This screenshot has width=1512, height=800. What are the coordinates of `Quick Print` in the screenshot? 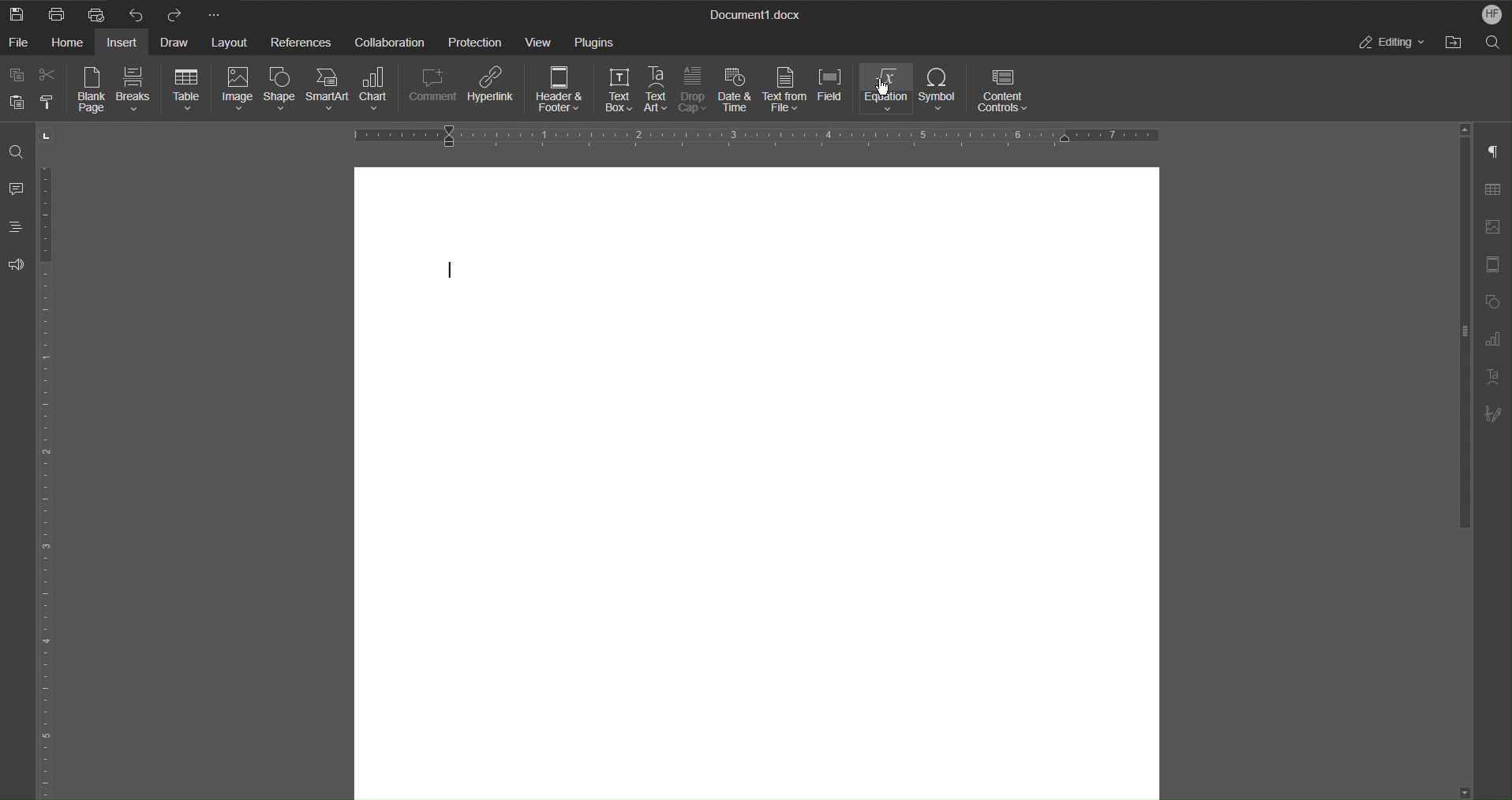 It's located at (97, 13).